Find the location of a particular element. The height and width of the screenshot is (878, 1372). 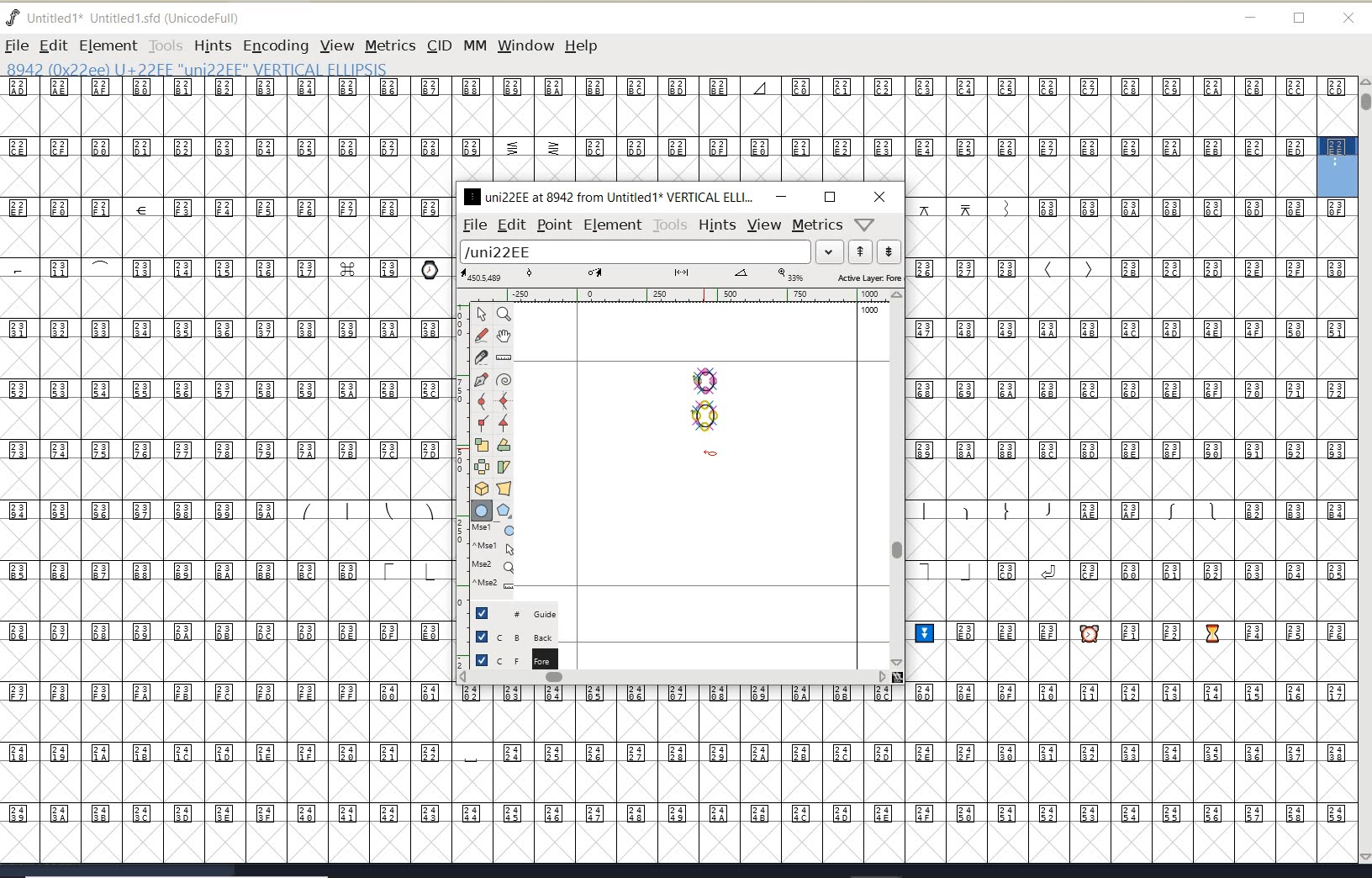

cursor events on the open new outline window is located at coordinates (495, 557).